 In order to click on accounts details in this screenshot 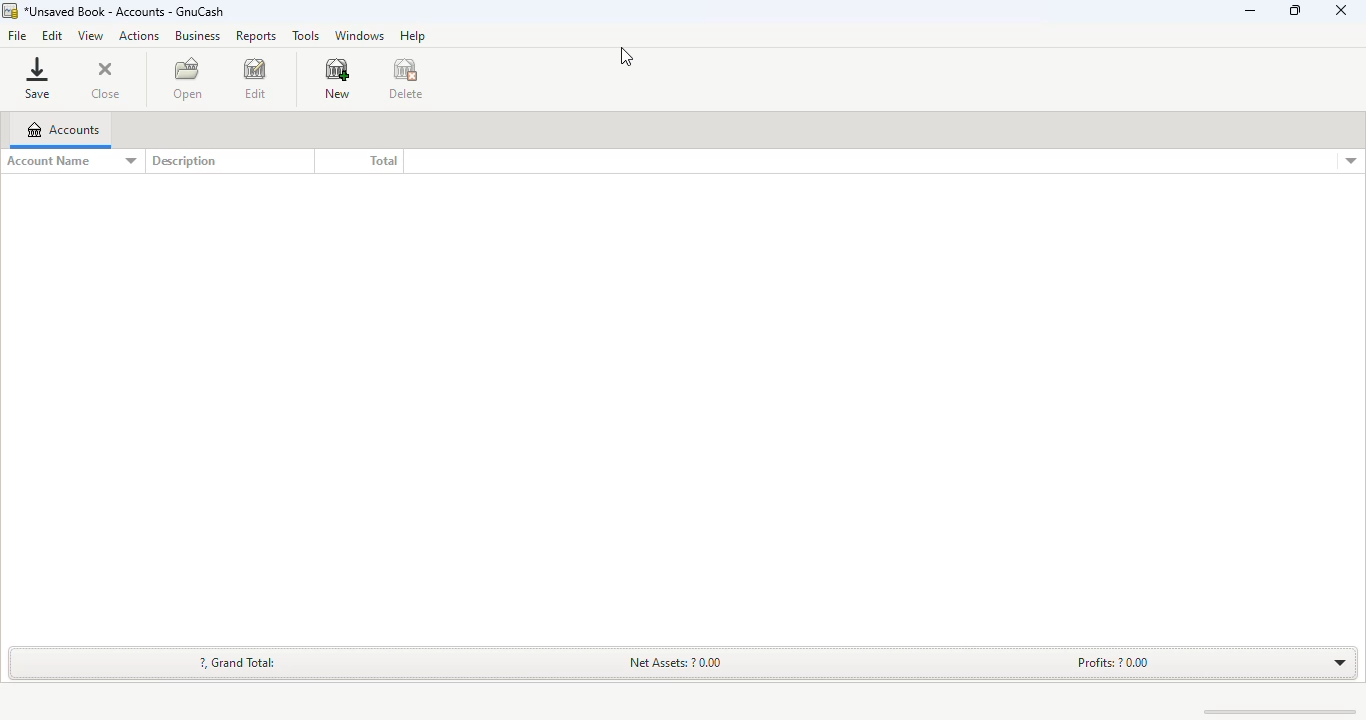, I will do `click(1351, 161)`.